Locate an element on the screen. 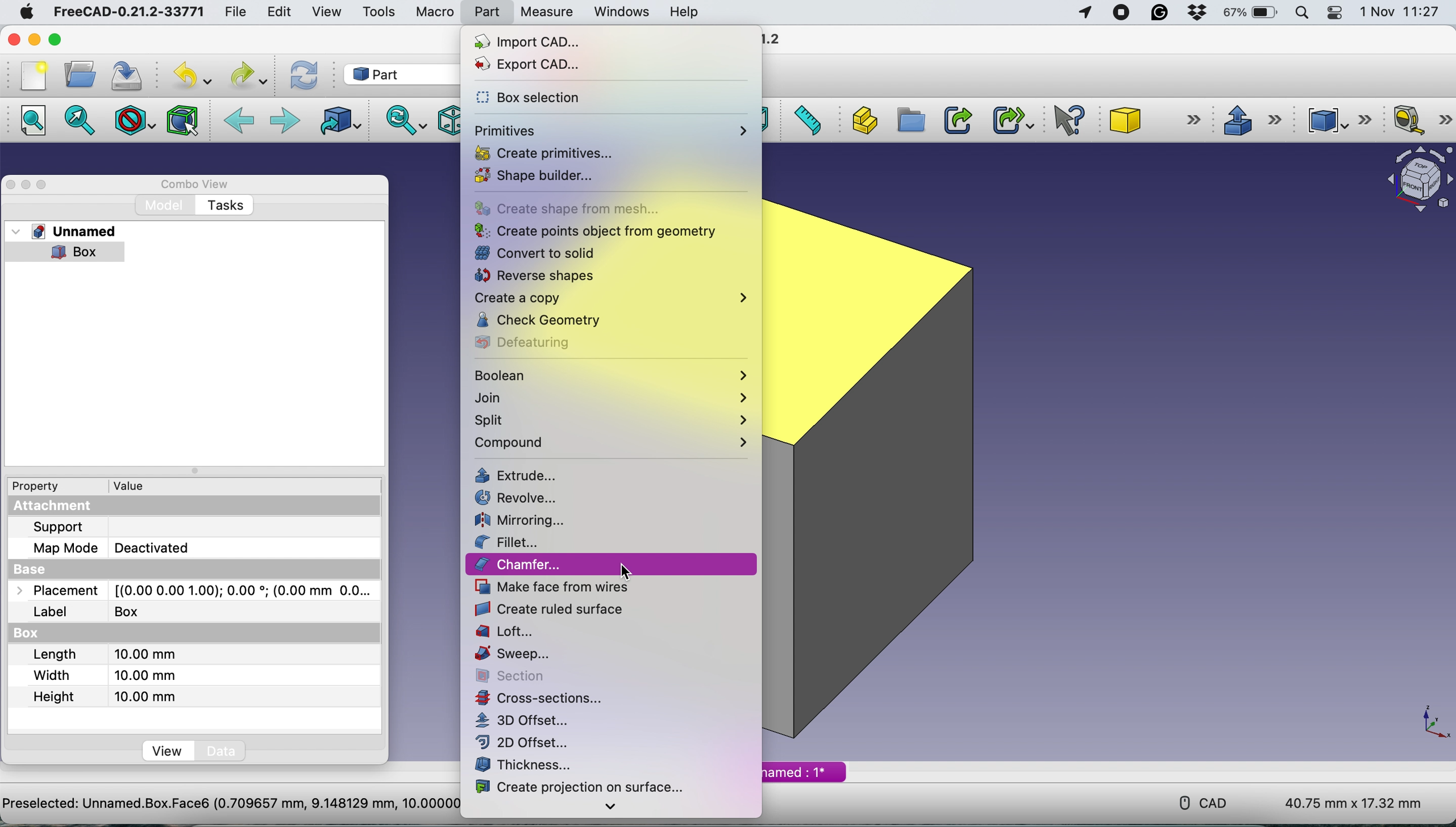 The width and height of the screenshot is (1456, 827). system logo is located at coordinates (27, 10).